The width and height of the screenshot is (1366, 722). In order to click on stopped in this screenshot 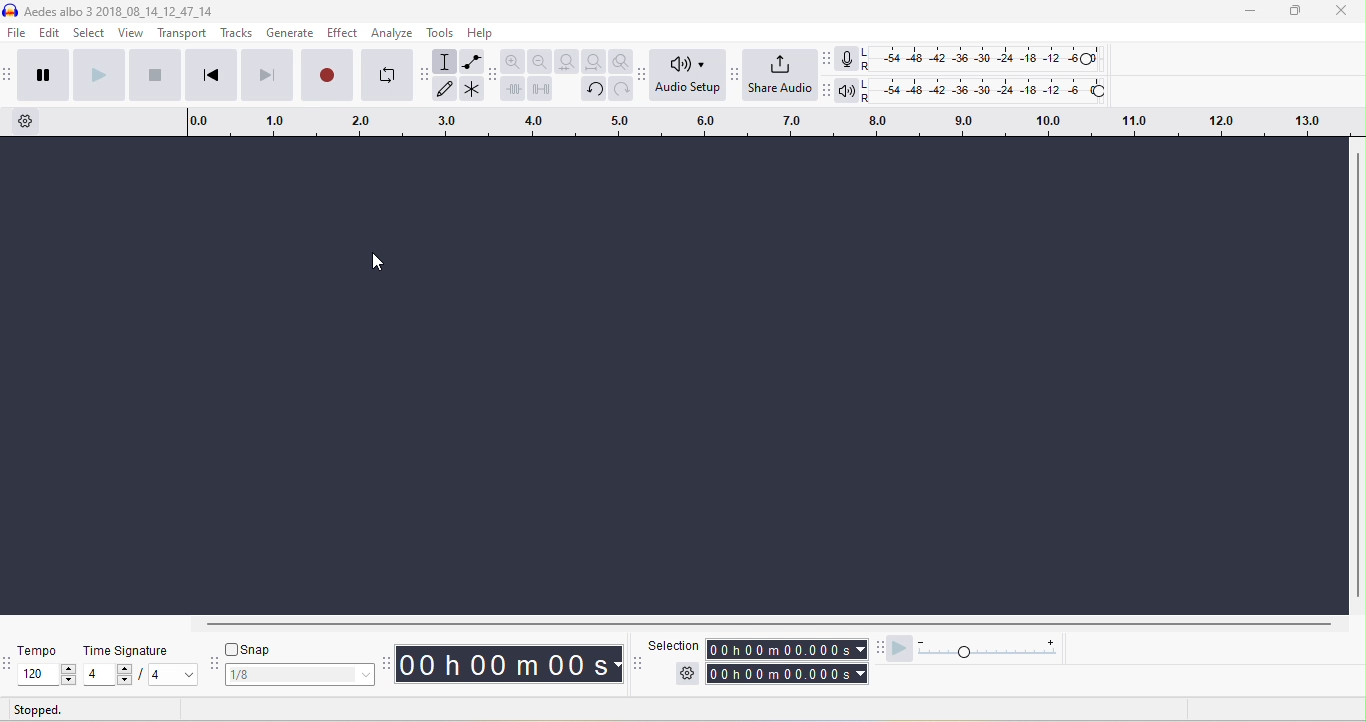, I will do `click(39, 711)`.